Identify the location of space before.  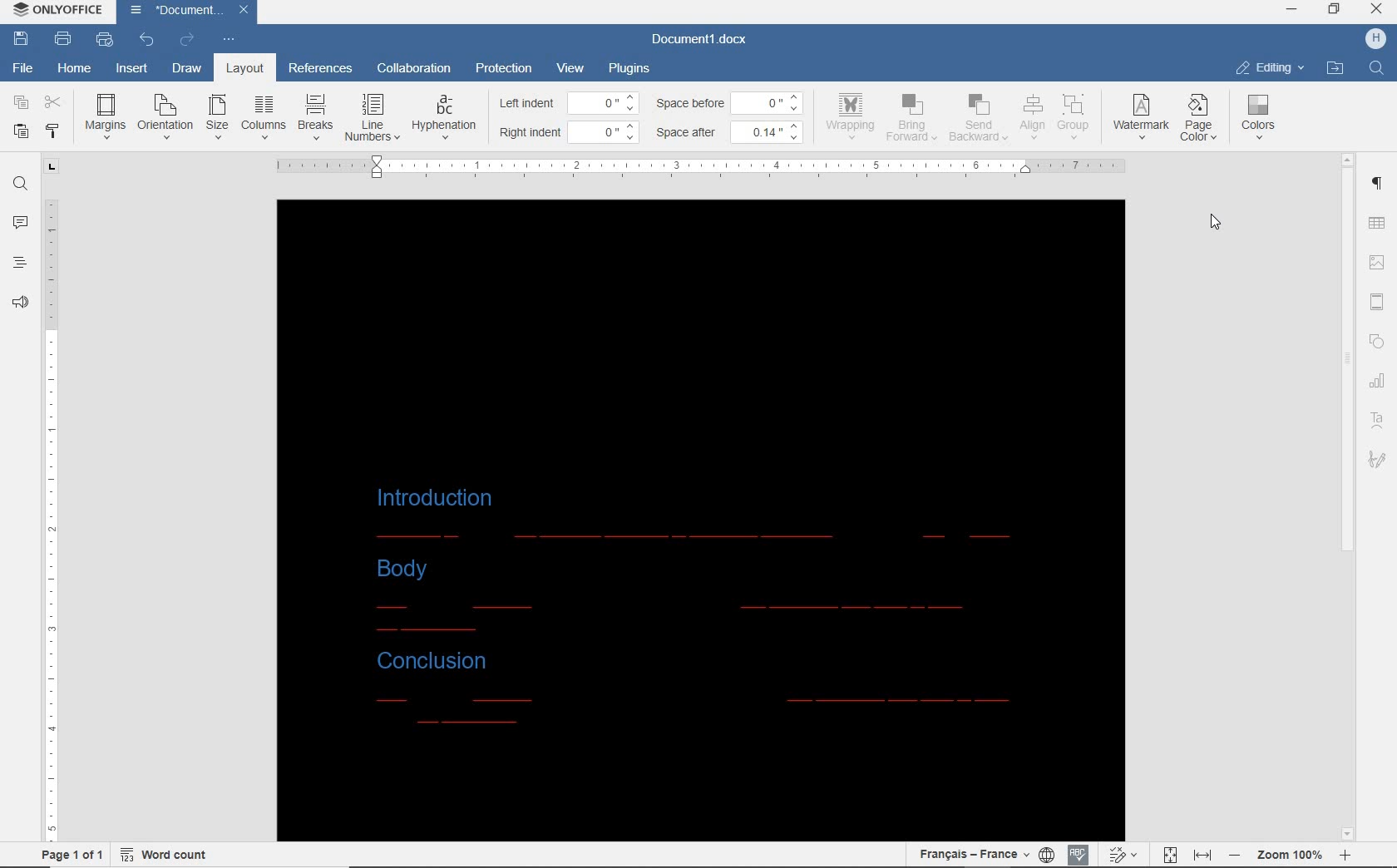
(690, 104).